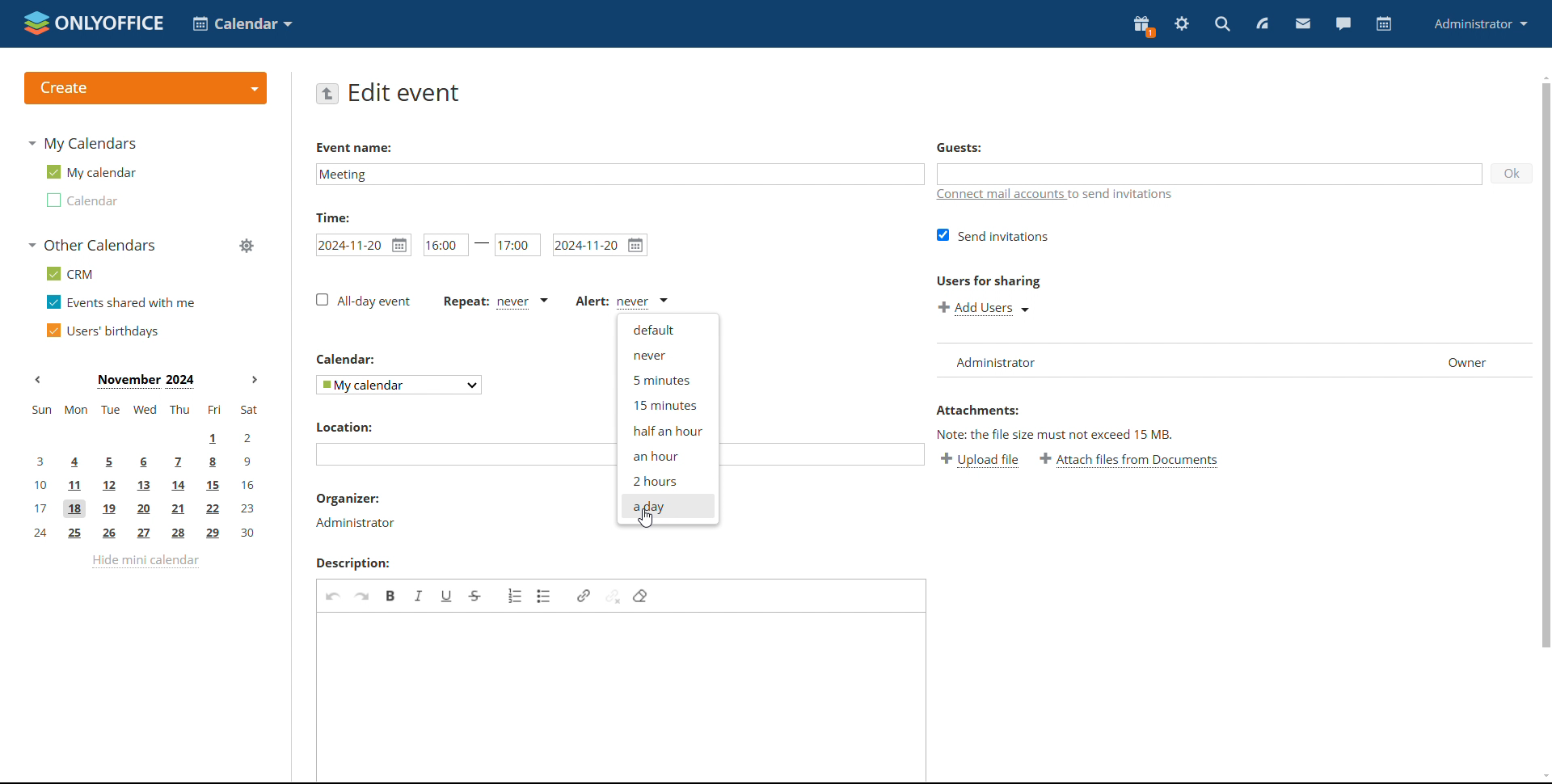 The image size is (1552, 784). I want to click on list of users, so click(1232, 360).